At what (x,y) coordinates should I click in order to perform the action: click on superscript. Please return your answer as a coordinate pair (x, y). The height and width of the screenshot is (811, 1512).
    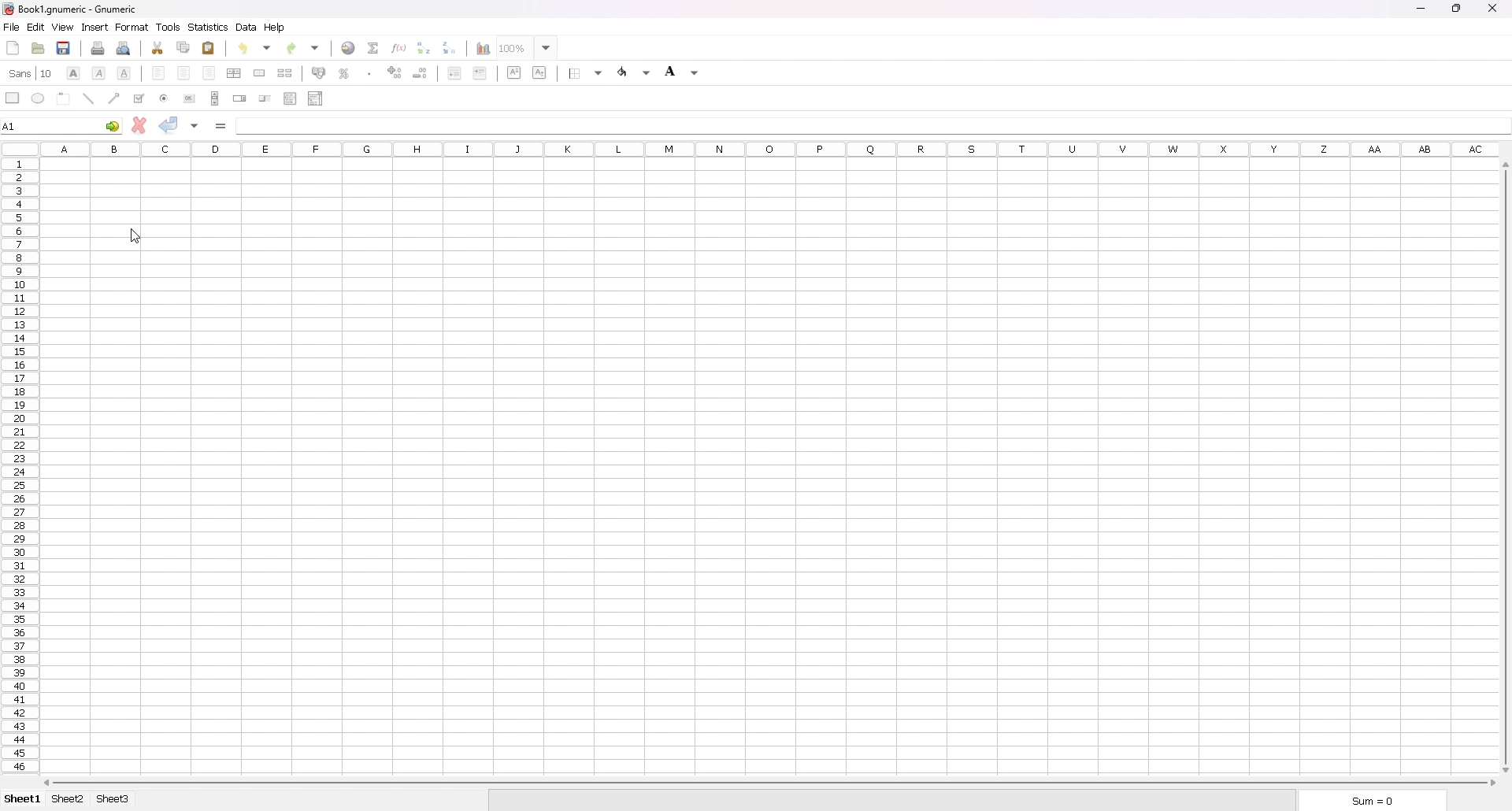
    Looking at the image, I should click on (514, 72).